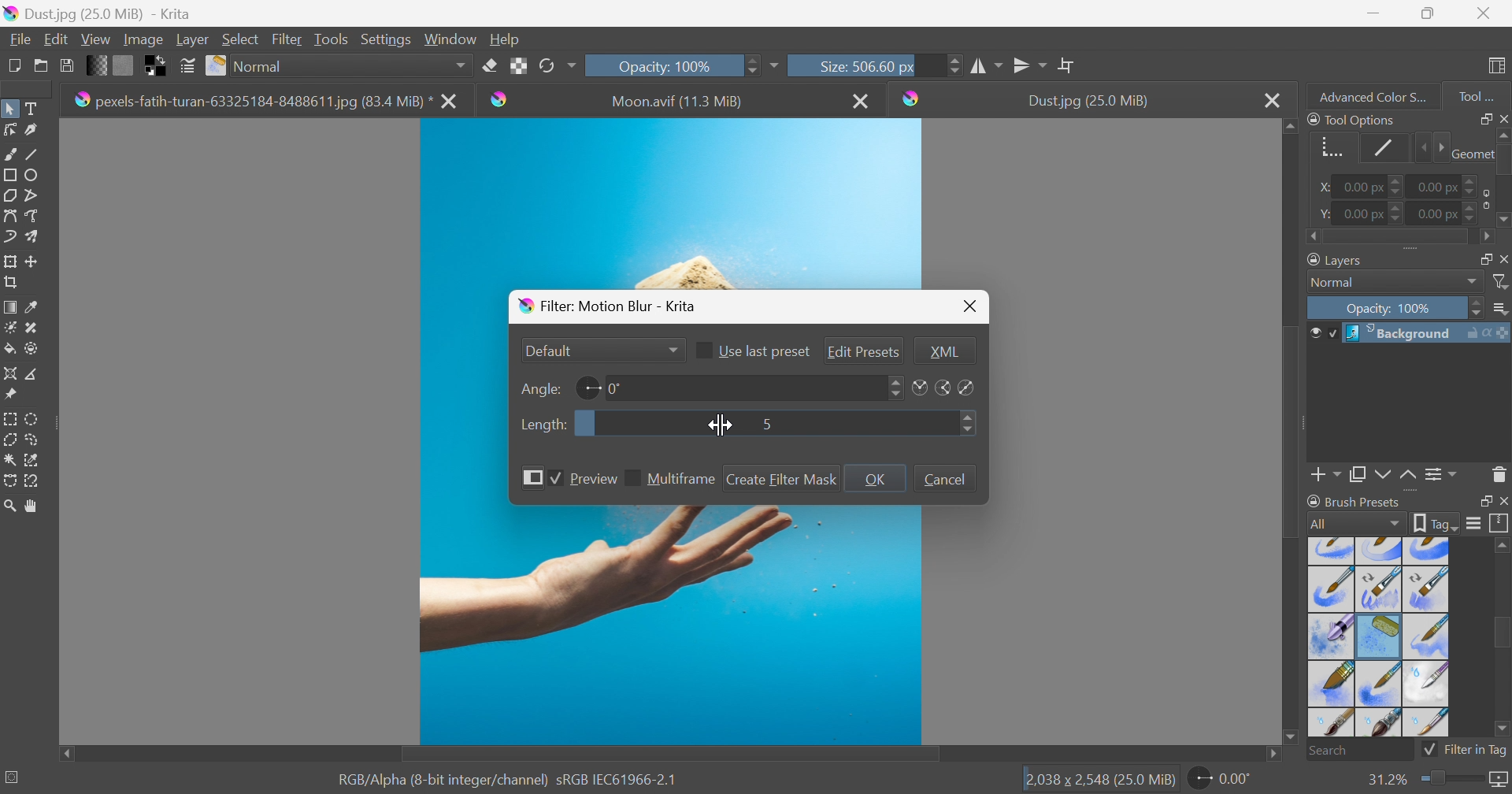 The image size is (1512, 794). Describe the element at coordinates (1499, 524) in the screenshot. I see `Storage resources` at that location.